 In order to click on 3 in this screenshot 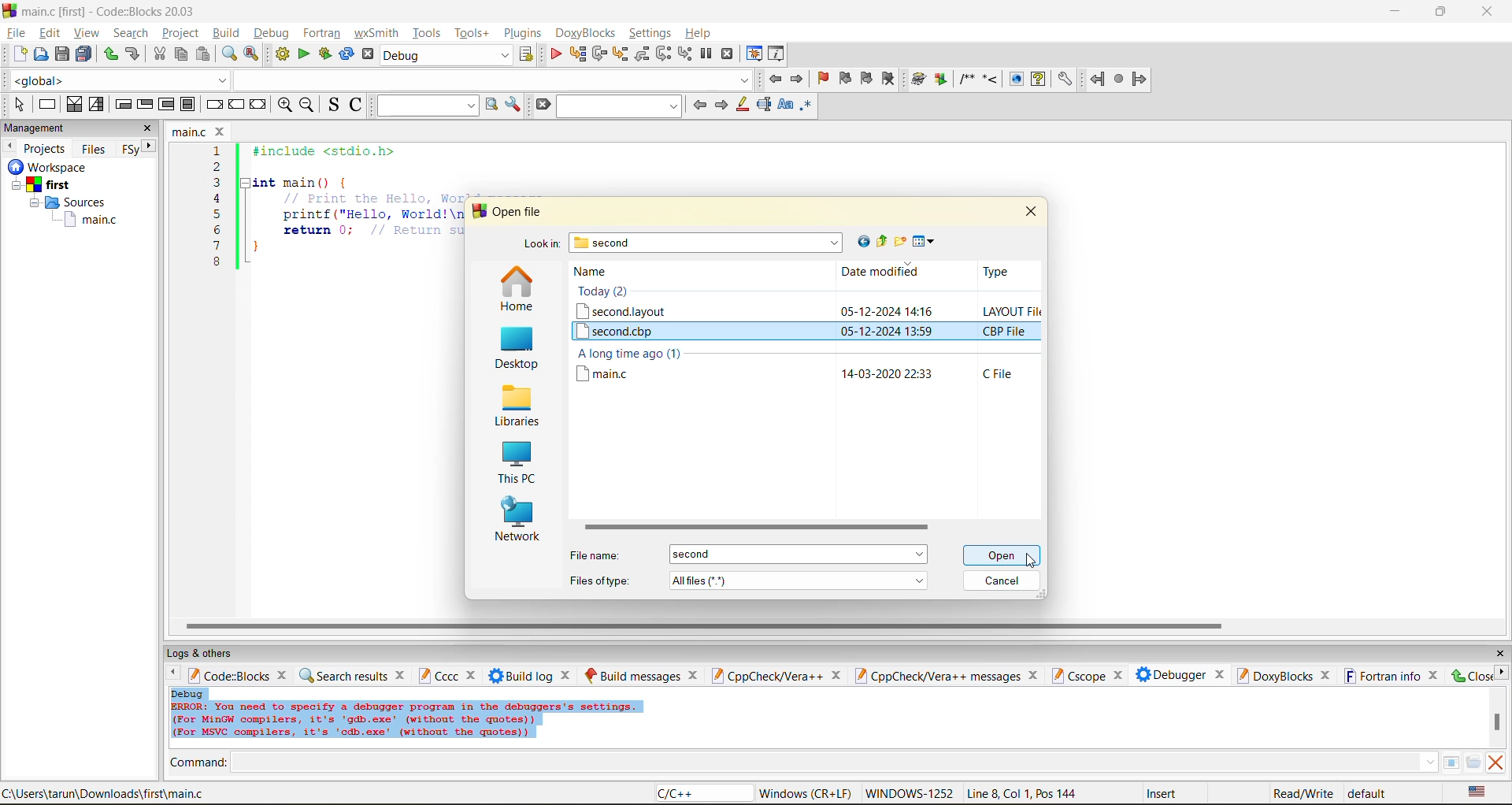, I will do `click(217, 182)`.